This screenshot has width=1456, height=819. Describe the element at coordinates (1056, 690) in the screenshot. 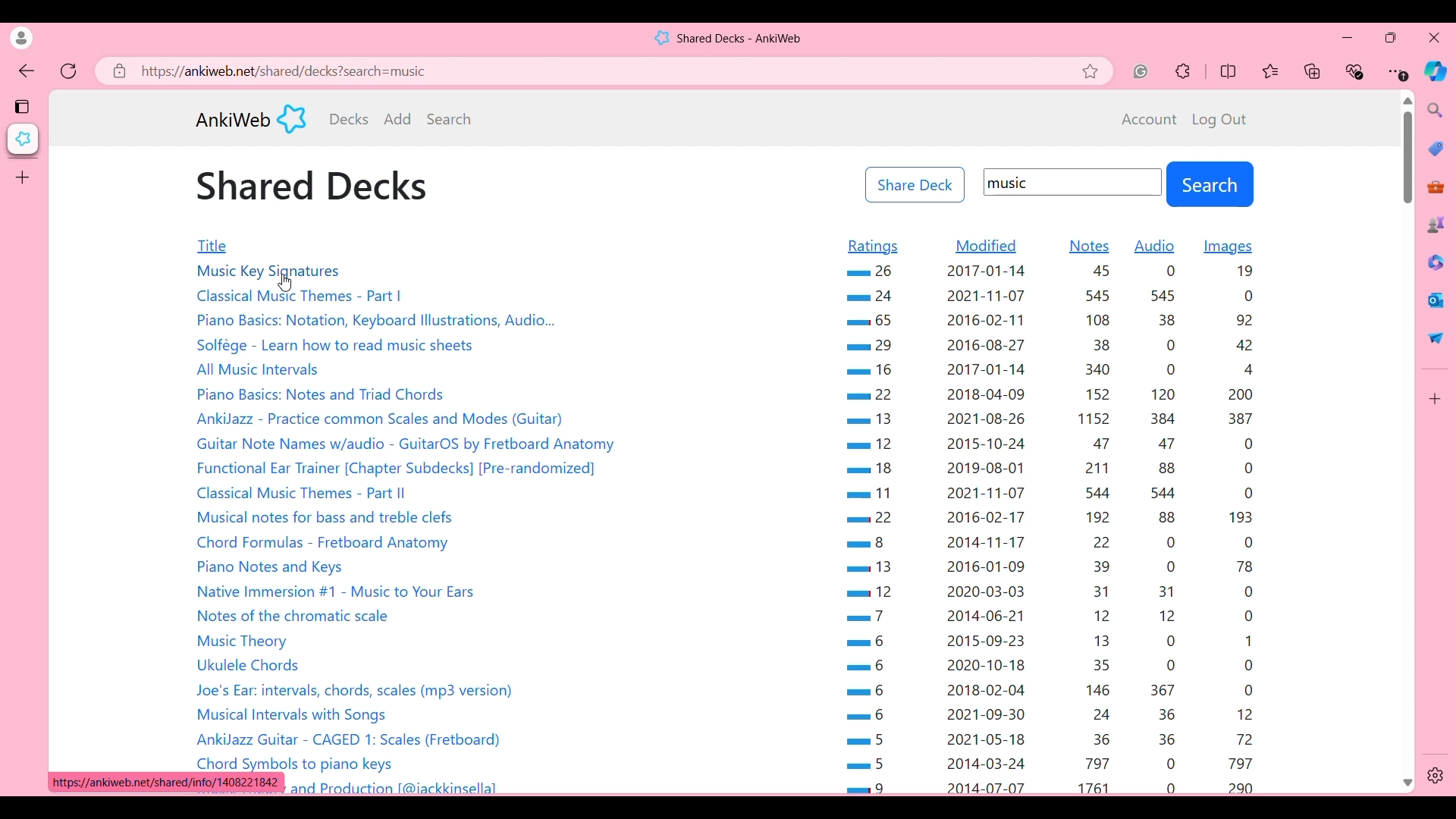

I see `6 2018-02-04 146 367 0` at that location.